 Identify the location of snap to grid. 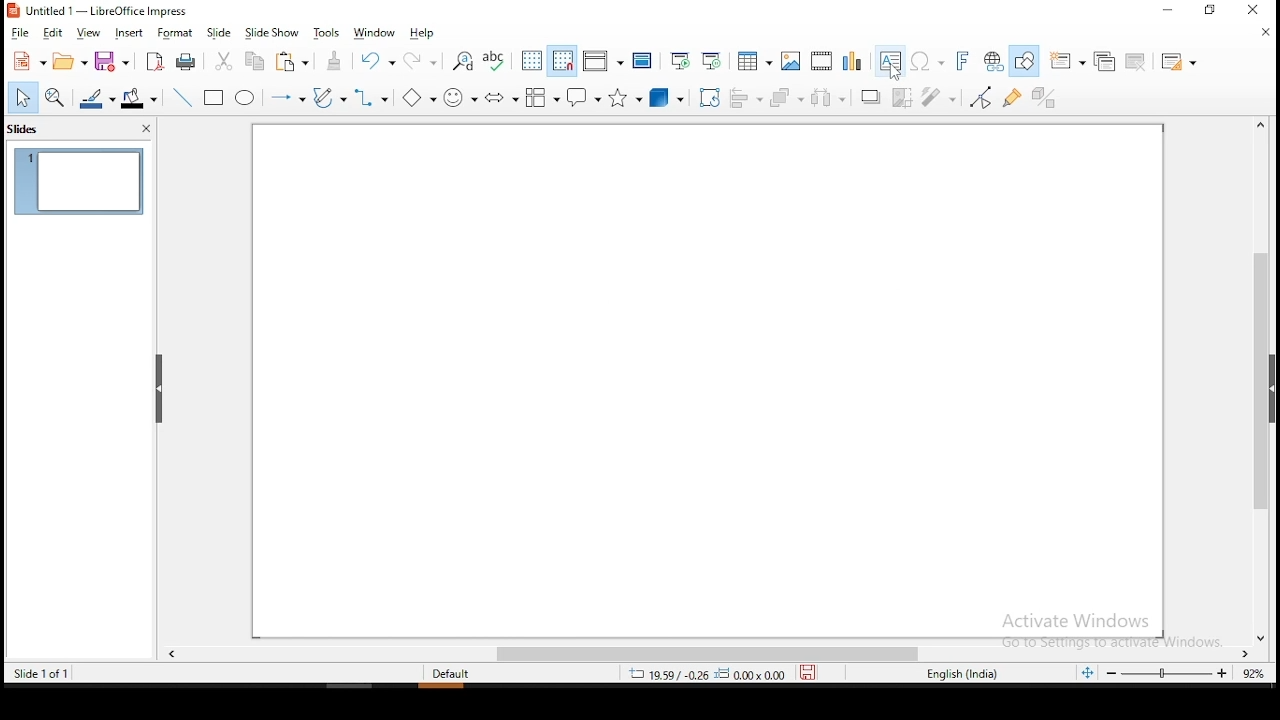
(563, 60).